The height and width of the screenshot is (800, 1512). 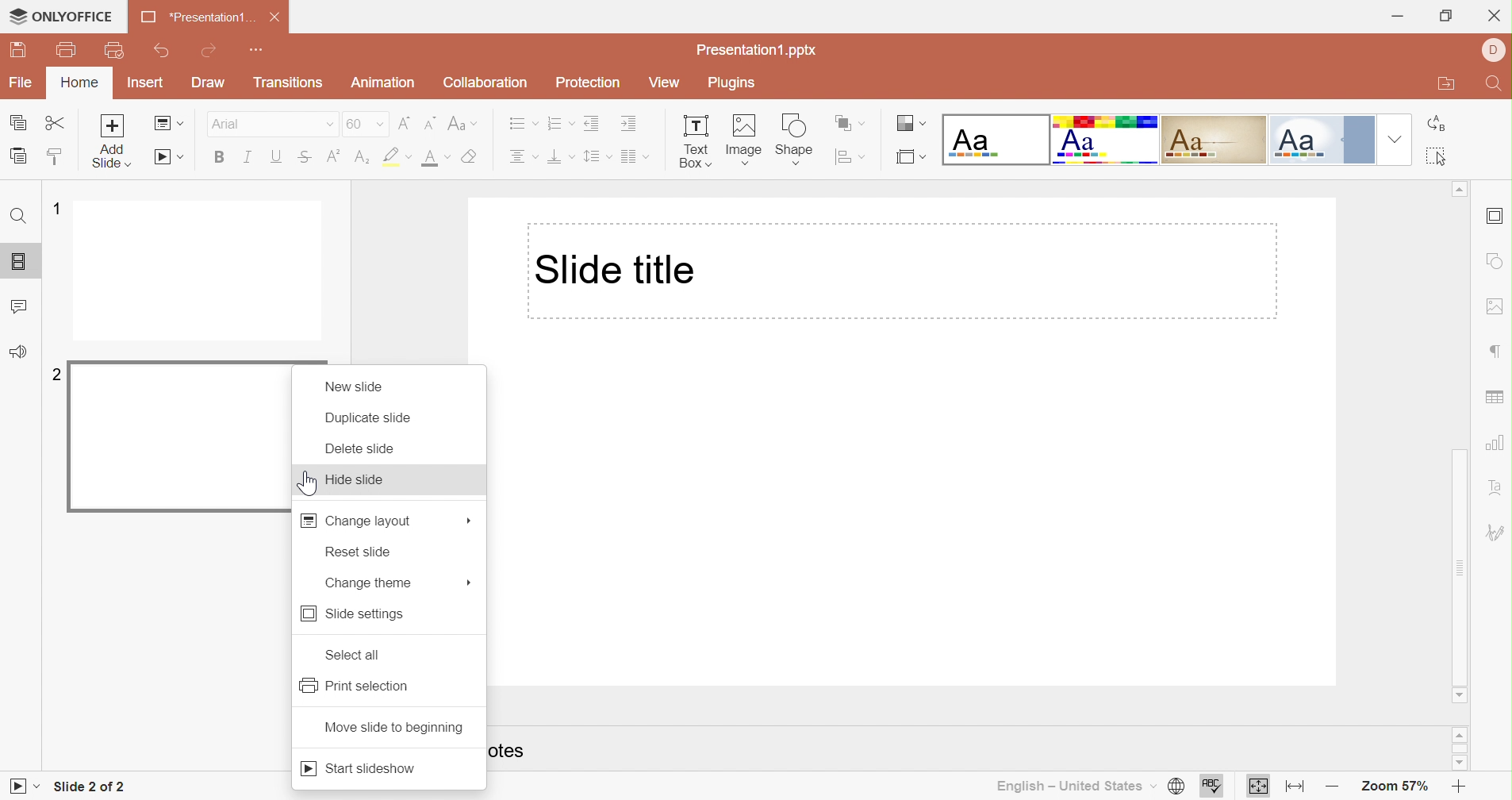 What do you see at coordinates (1069, 785) in the screenshot?
I see `English - United States` at bounding box center [1069, 785].